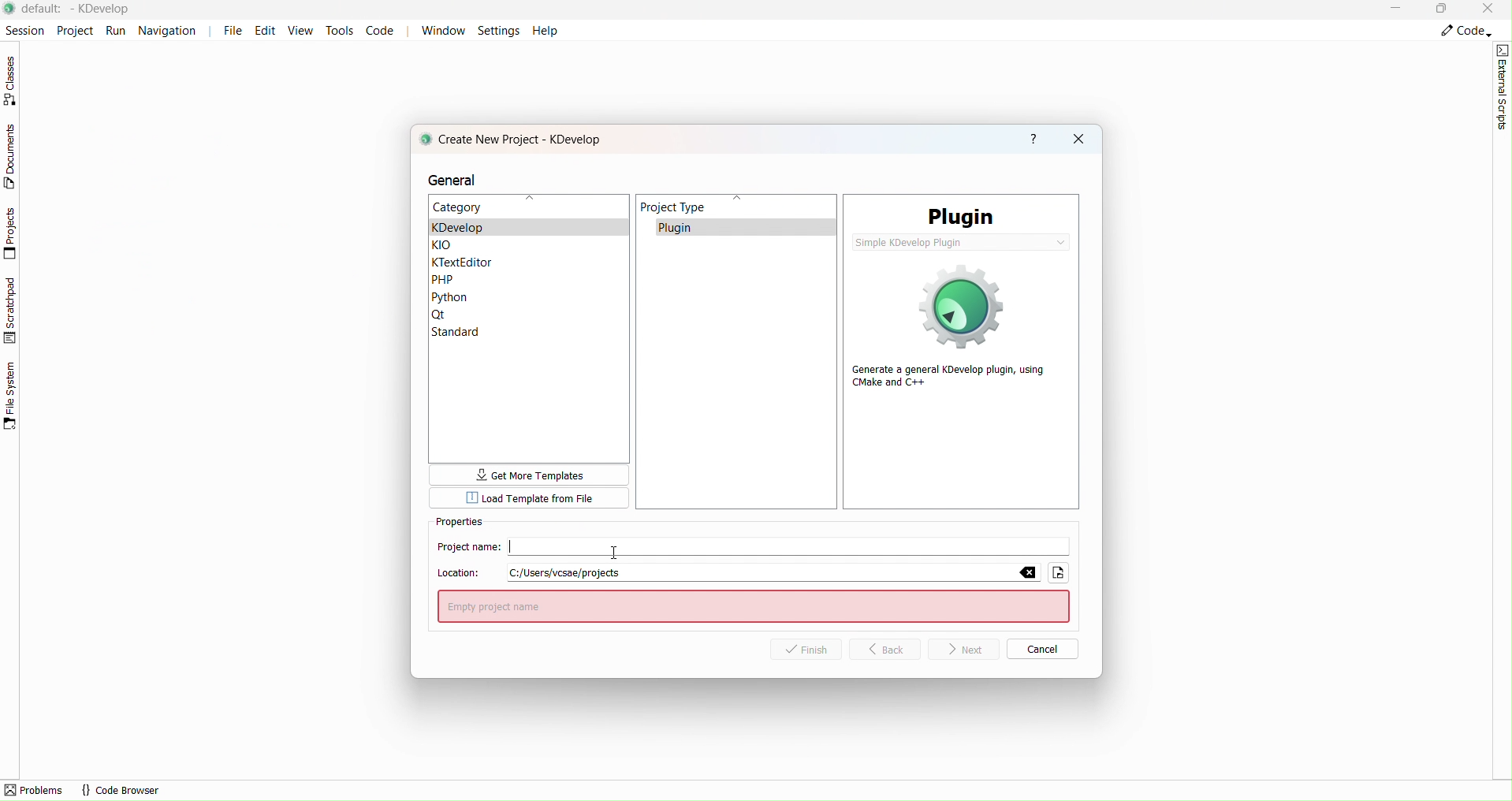 The image size is (1512, 801). I want to click on Project type, so click(736, 352).